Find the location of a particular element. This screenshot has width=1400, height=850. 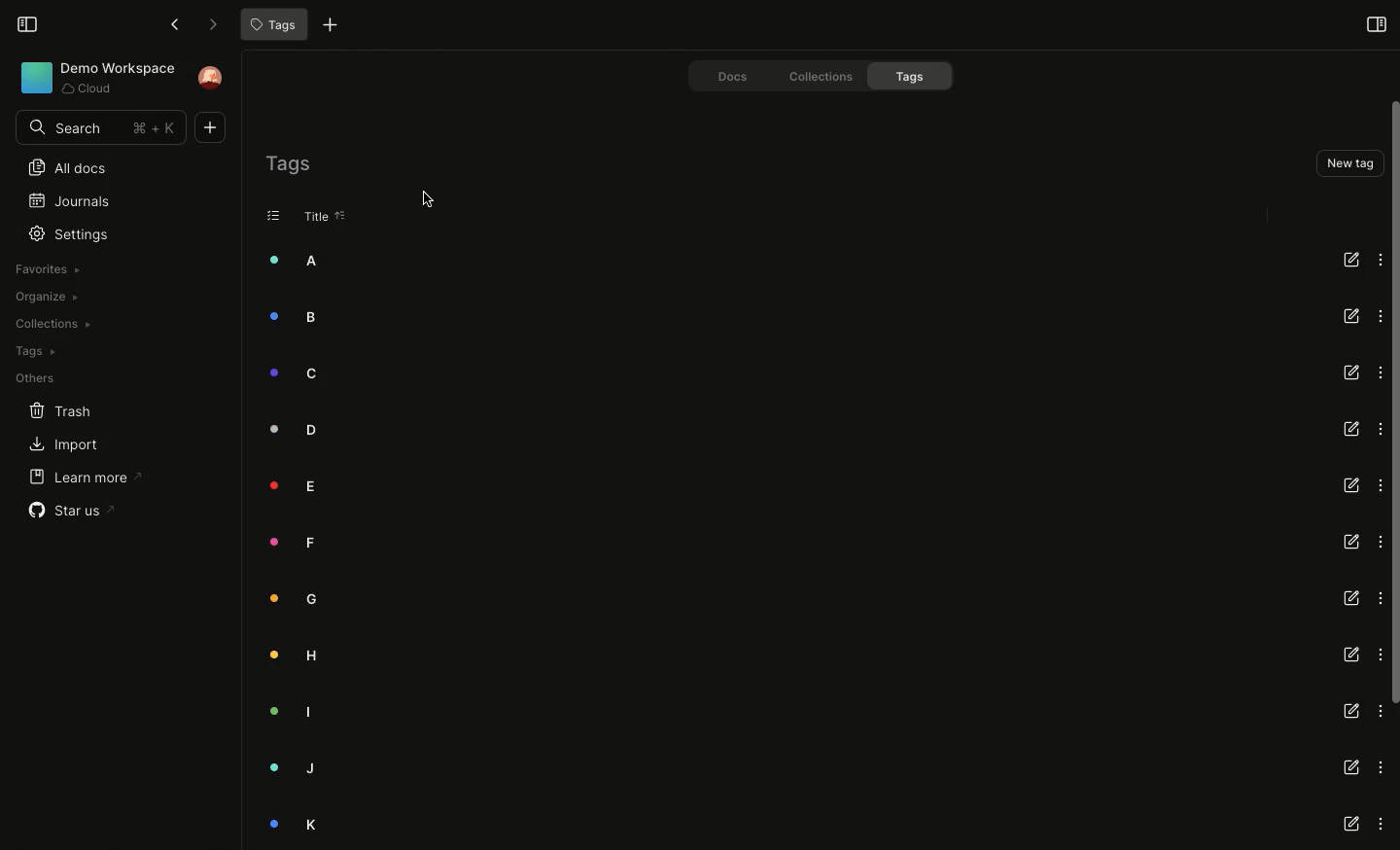

Collections is located at coordinates (51, 324).